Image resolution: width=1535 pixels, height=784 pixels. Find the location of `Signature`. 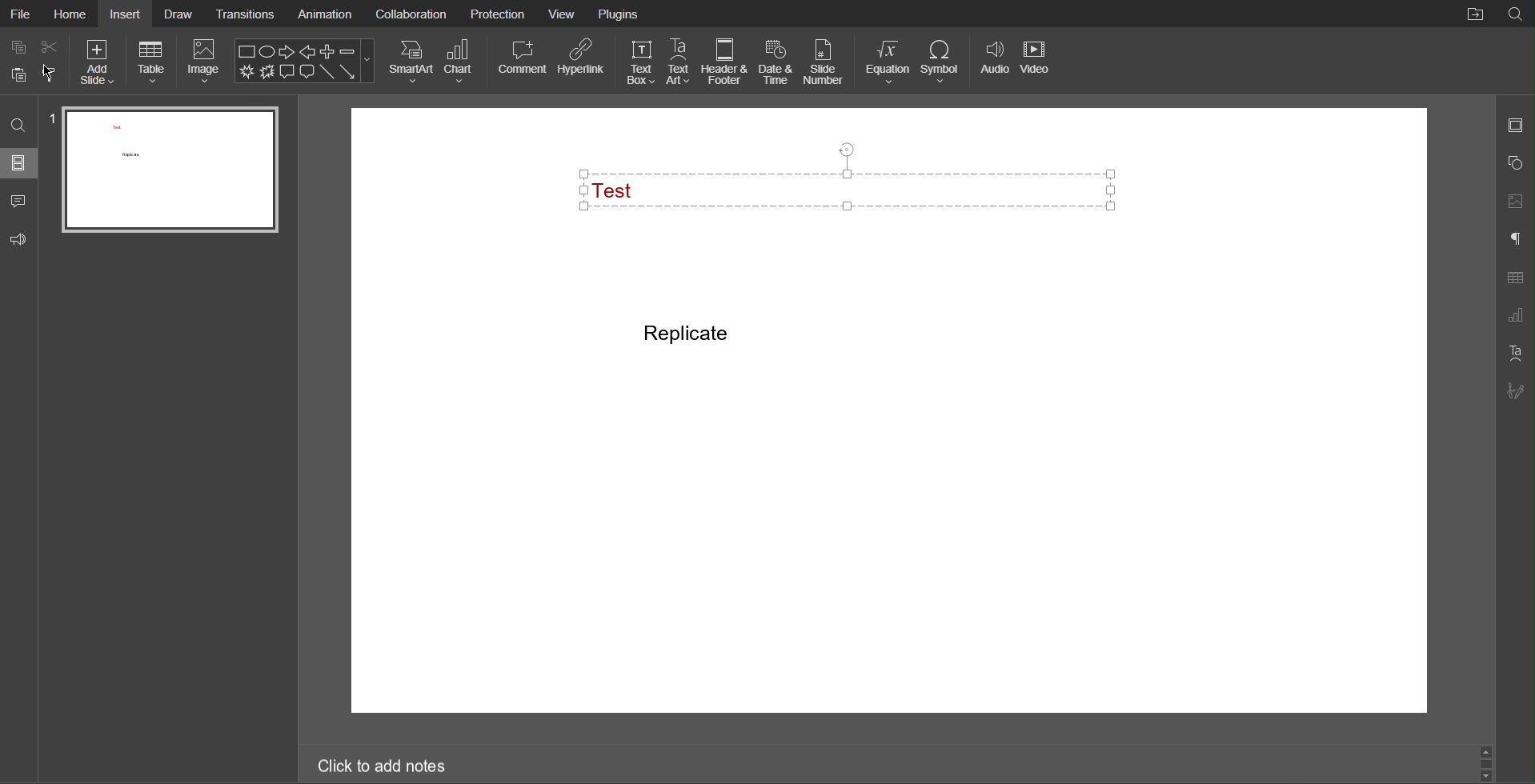

Signature is located at coordinates (1515, 390).